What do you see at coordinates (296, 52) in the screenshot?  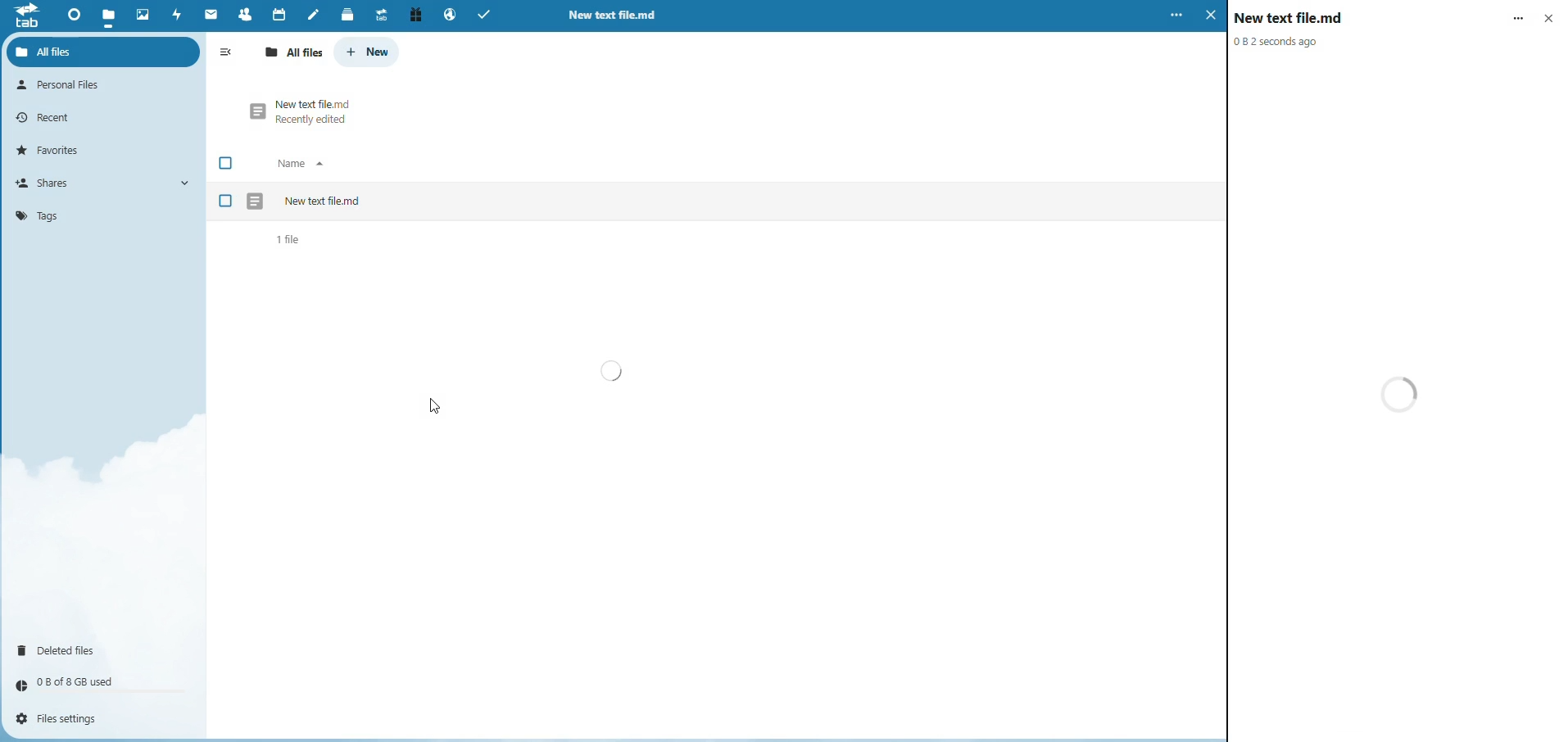 I see `All Files` at bounding box center [296, 52].